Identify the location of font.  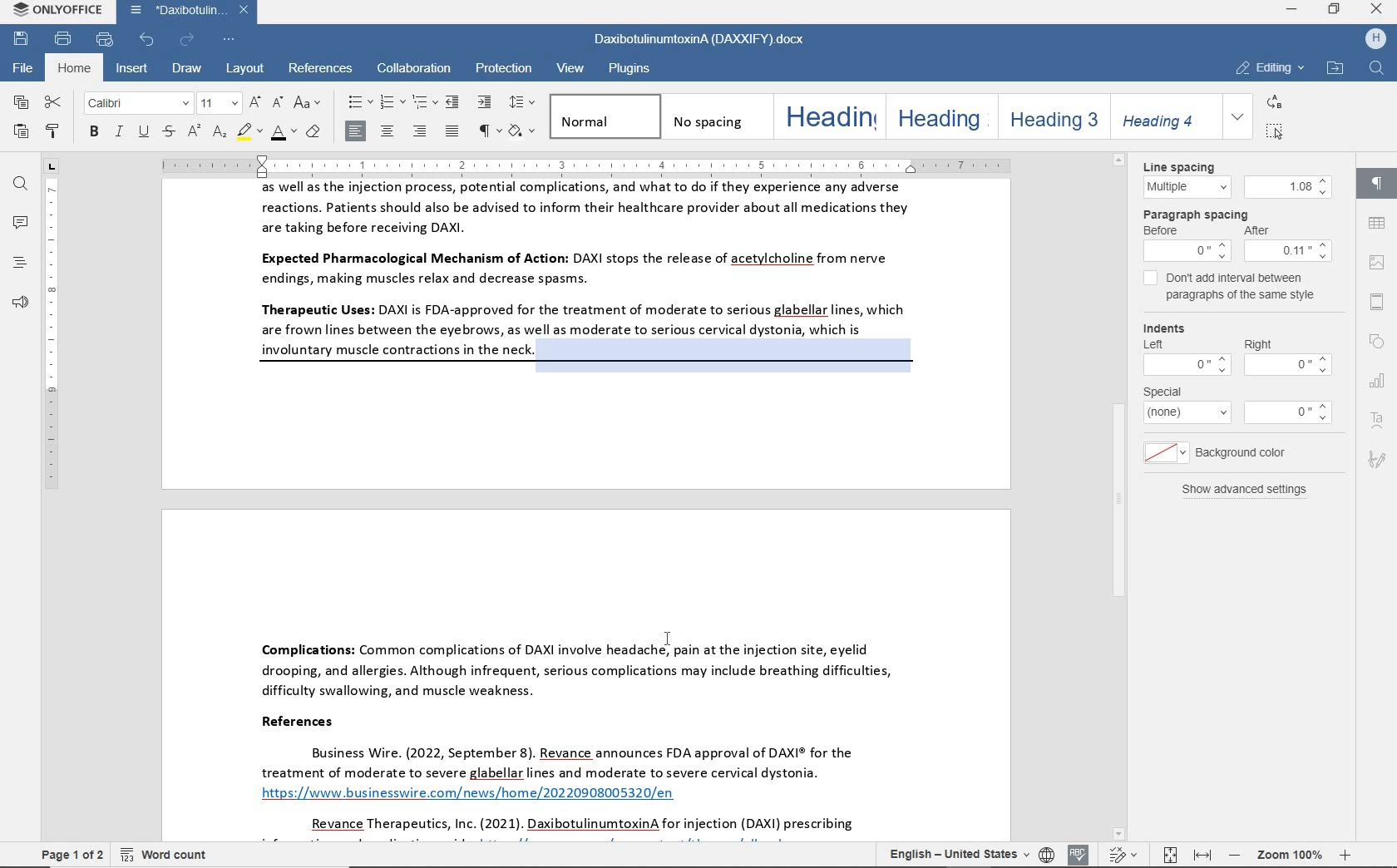
(136, 104).